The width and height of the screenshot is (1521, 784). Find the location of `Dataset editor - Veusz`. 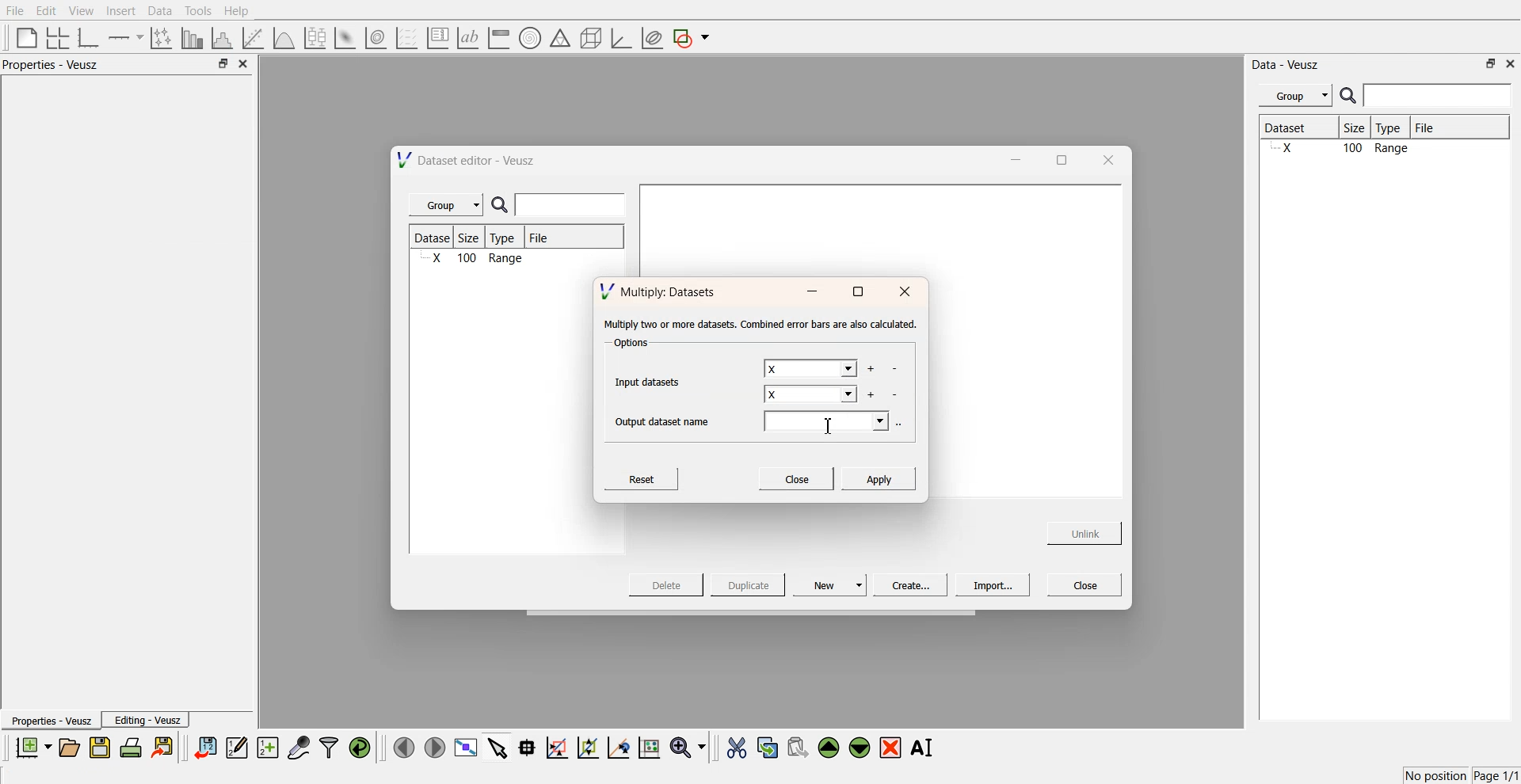

Dataset editor - Veusz is located at coordinates (468, 160).